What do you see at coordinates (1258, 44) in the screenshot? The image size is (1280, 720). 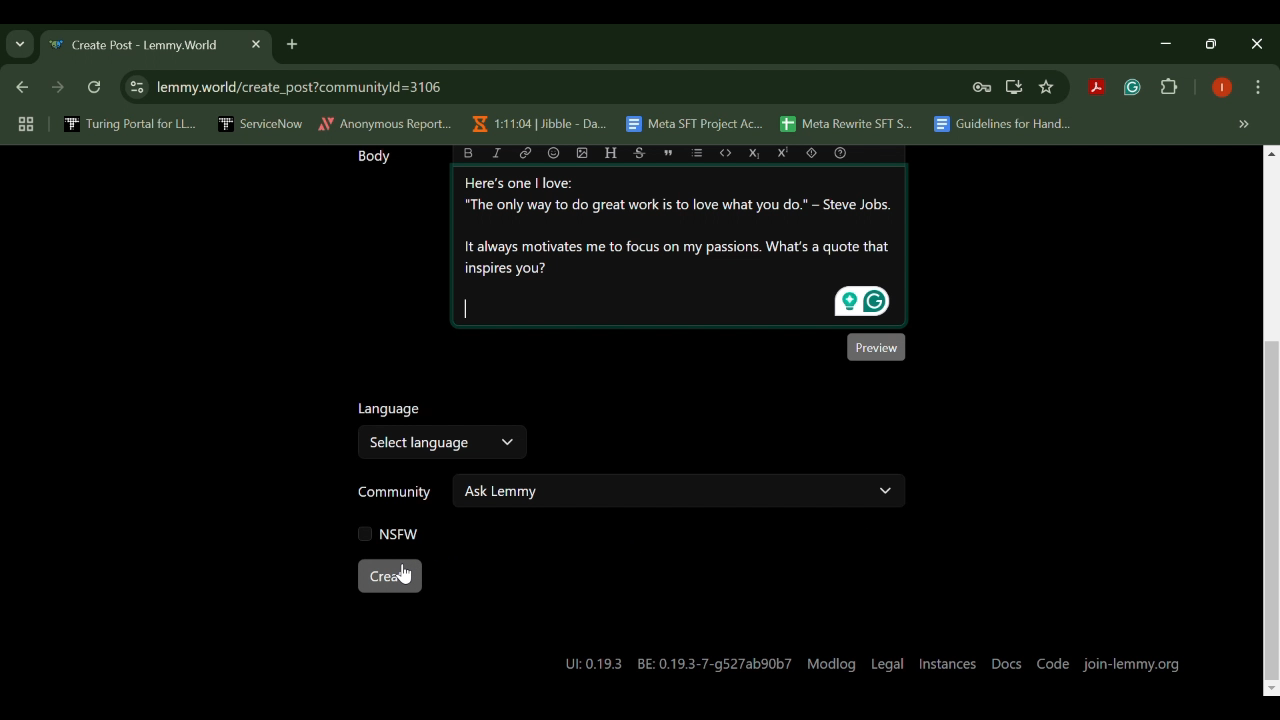 I see `Close Window` at bounding box center [1258, 44].